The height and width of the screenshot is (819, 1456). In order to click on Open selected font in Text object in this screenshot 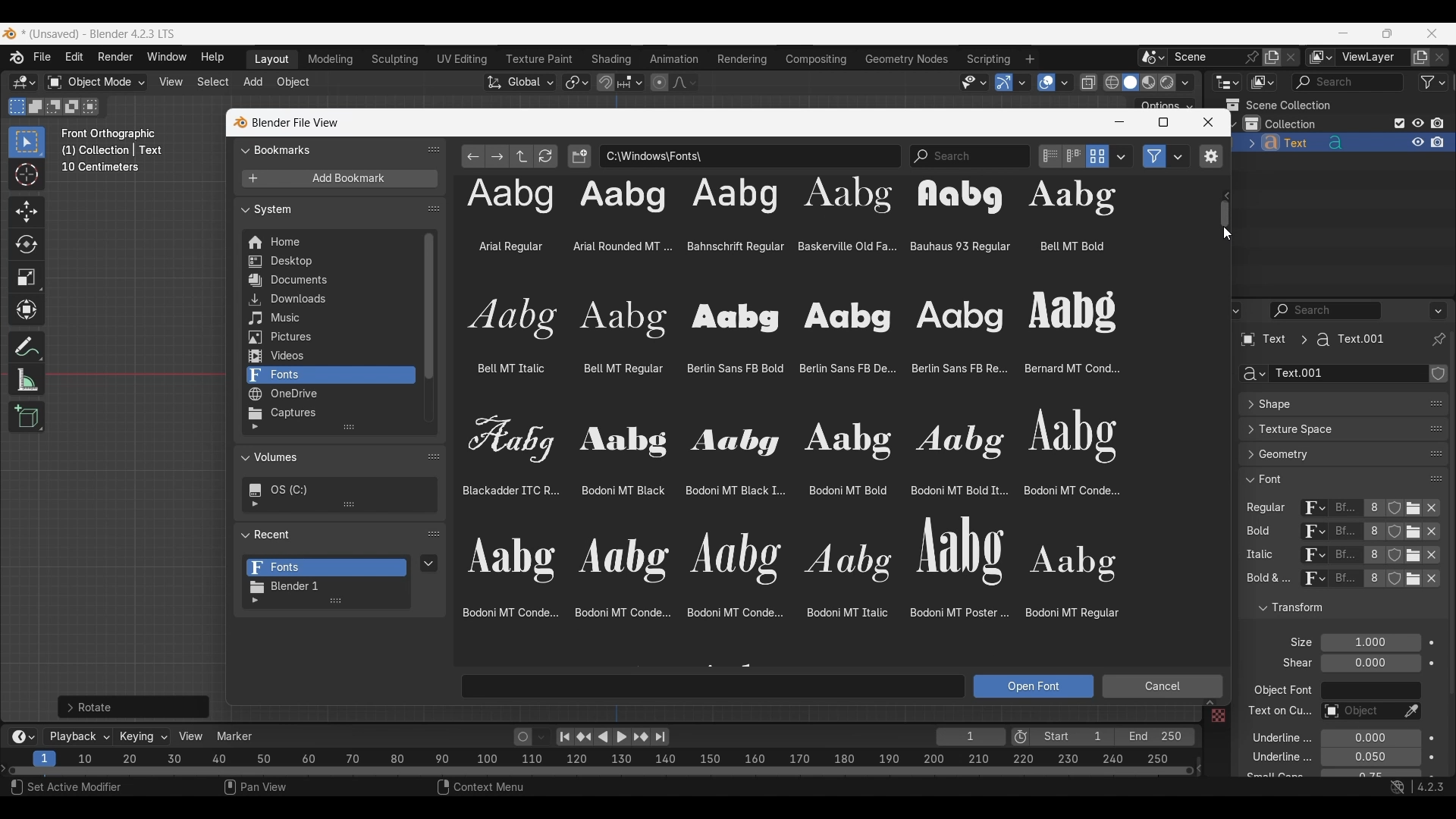, I will do `click(1034, 686)`.